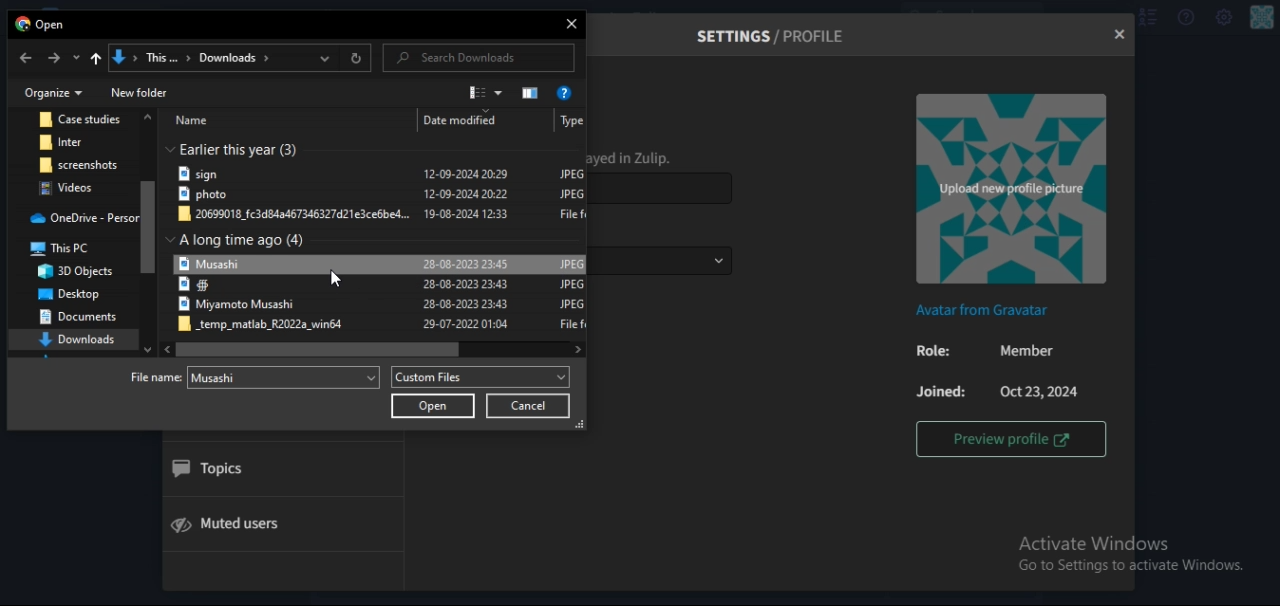  I want to click on text, so click(42, 26).